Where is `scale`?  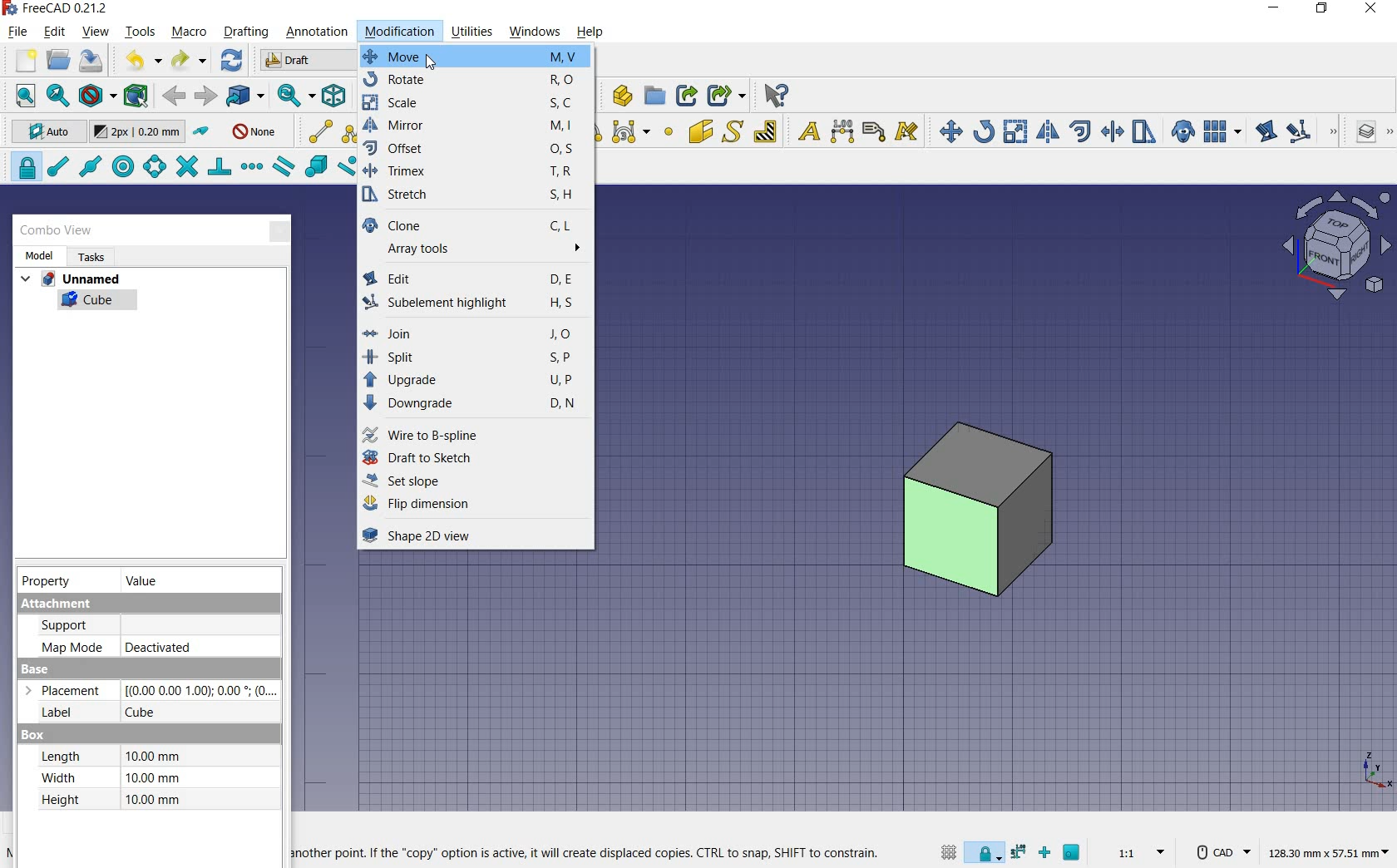 scale is located at coordinates (1016, 131).